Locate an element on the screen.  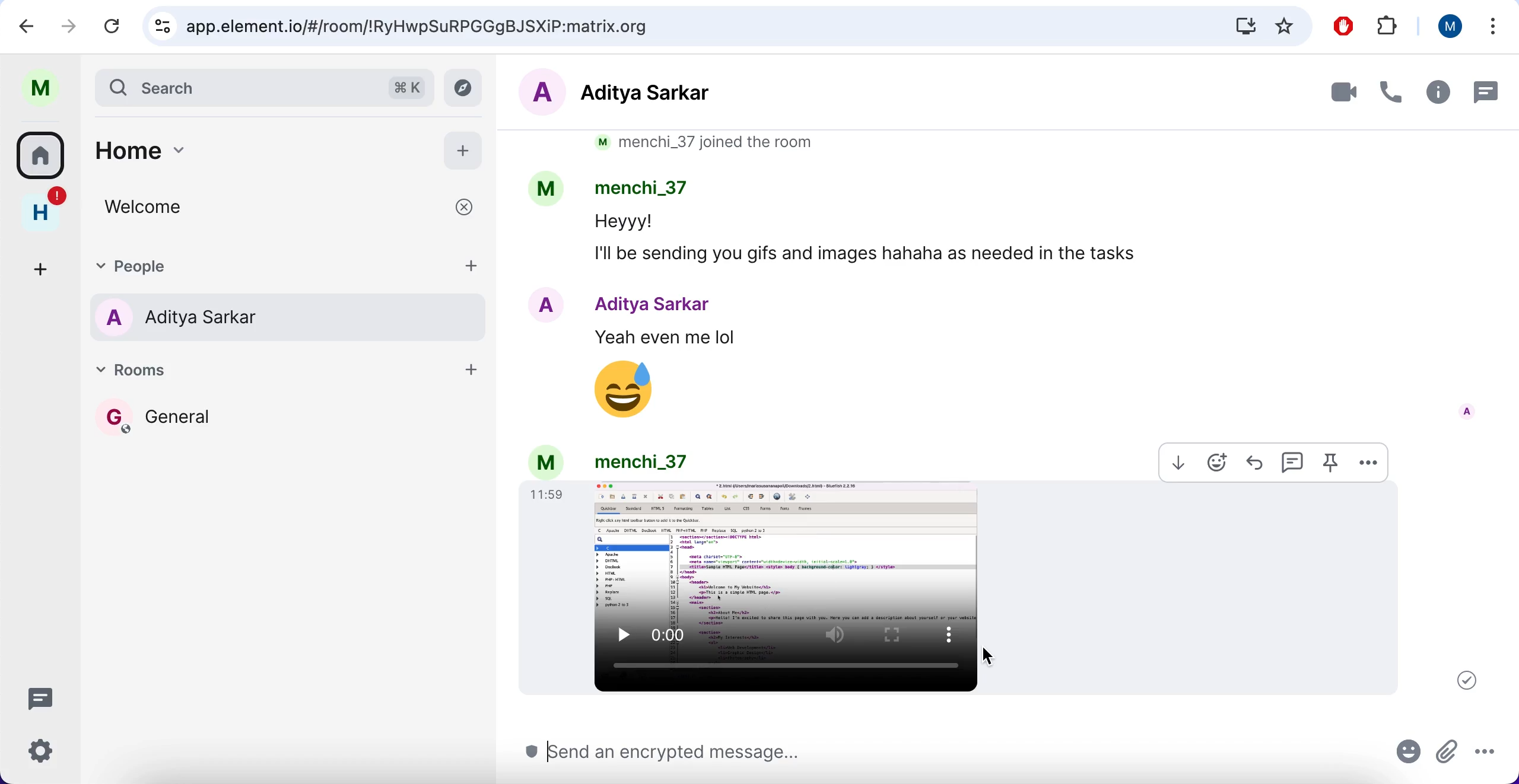
reload current page is located at coordinates (116, 26).